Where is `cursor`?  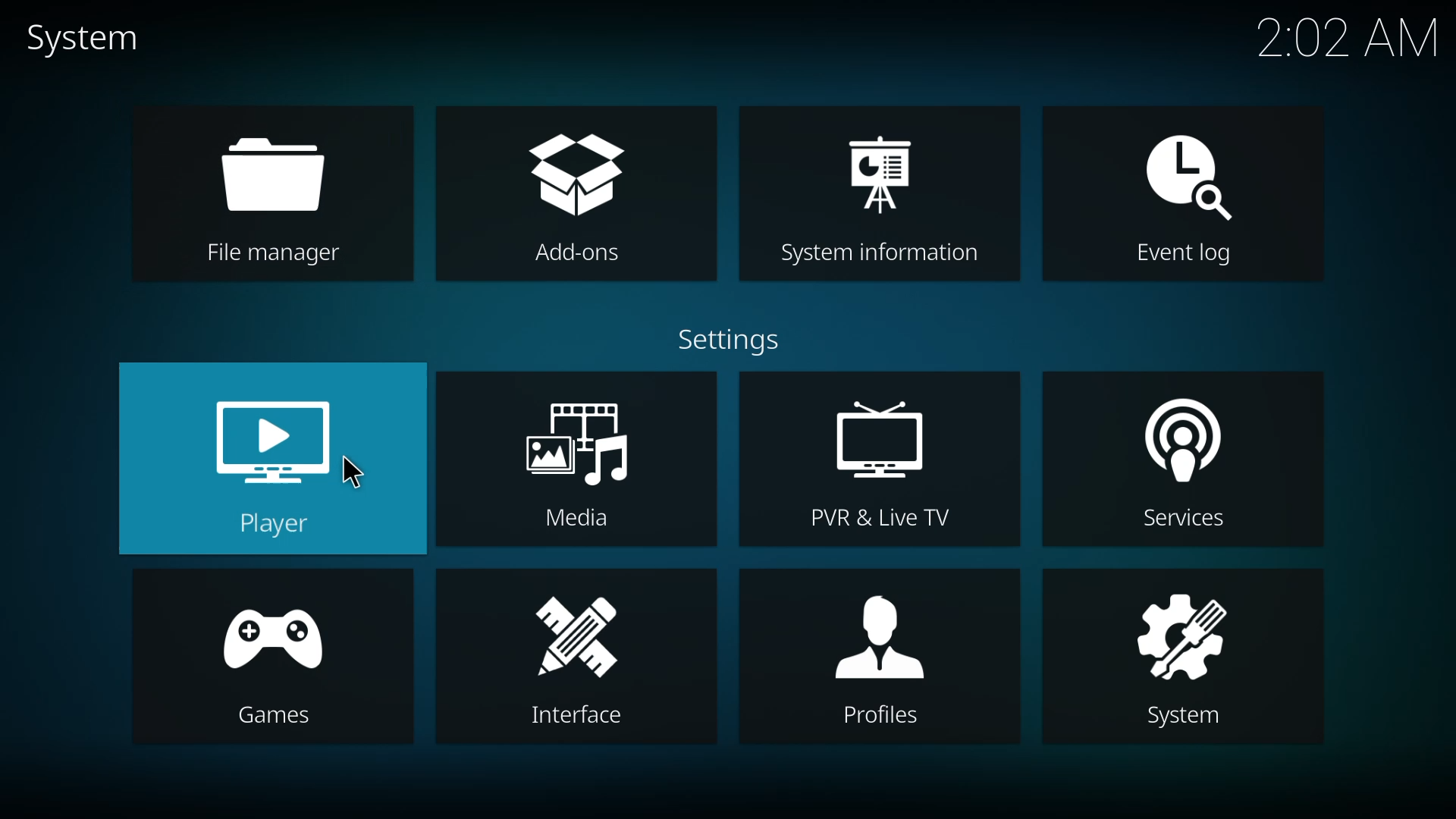
cursor is located at coordinates (353, 472).